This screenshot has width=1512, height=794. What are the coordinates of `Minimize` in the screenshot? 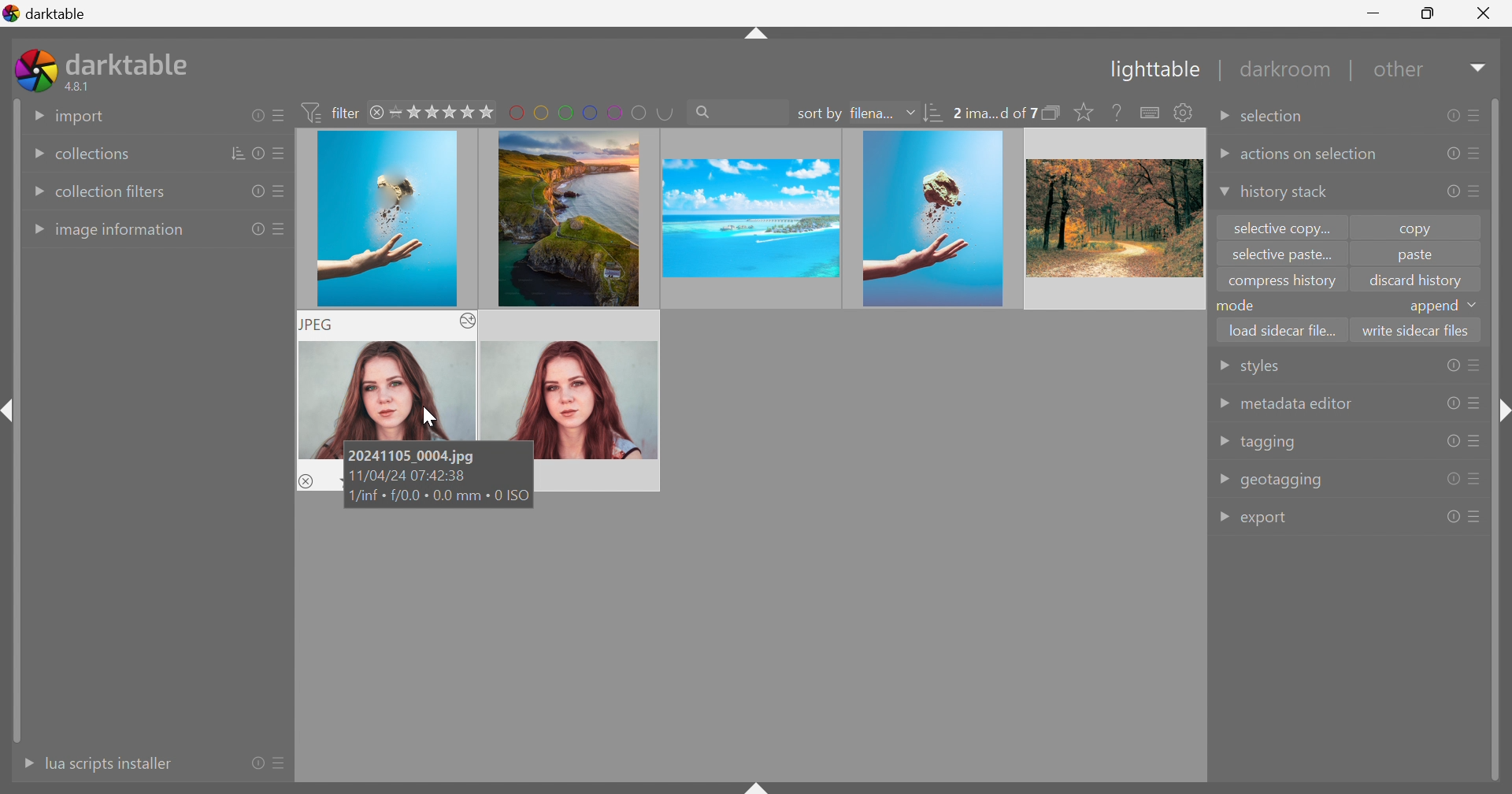 It's located at (1377, 12).